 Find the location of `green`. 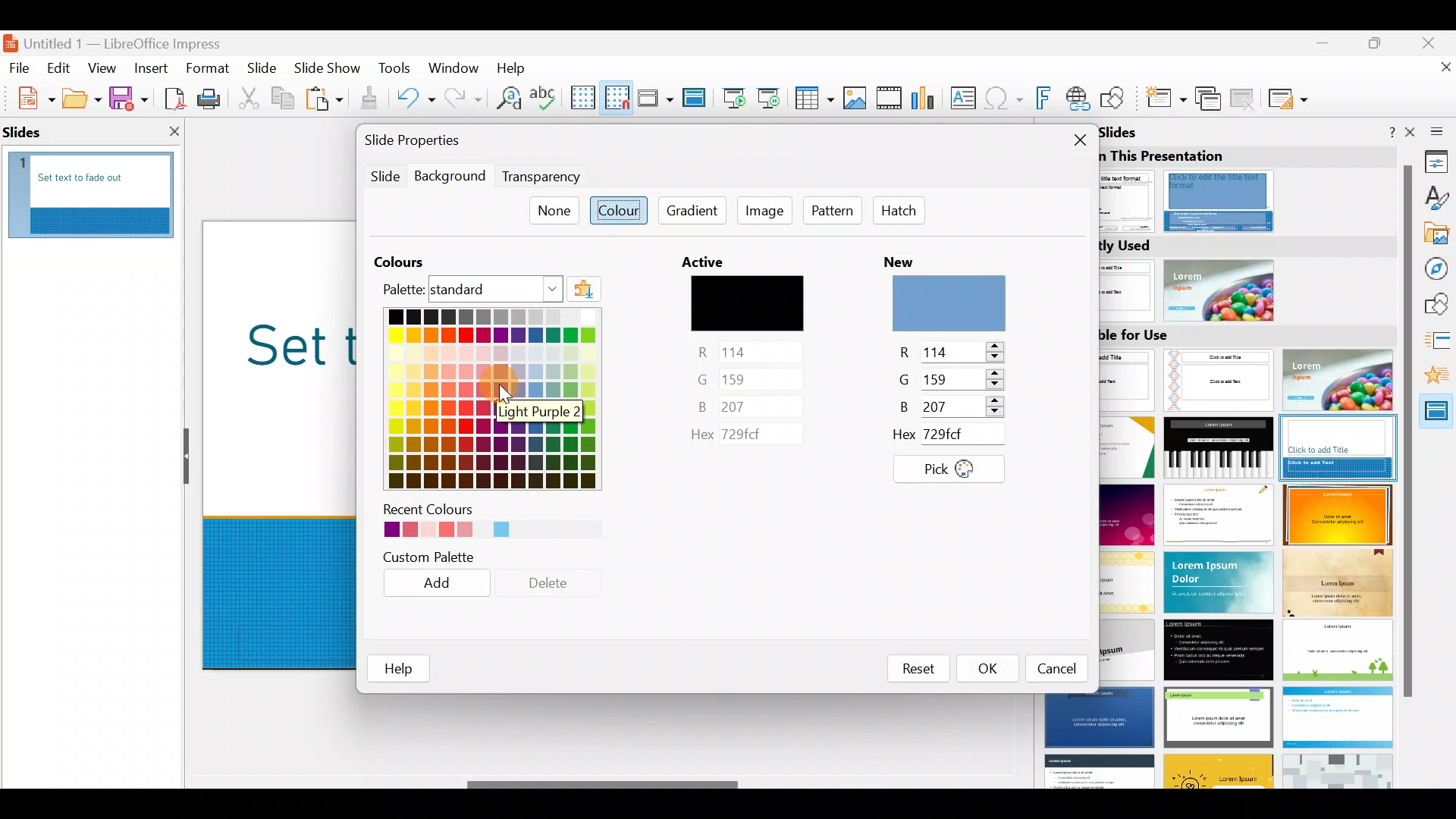

green is located at coordinates (747, 378).